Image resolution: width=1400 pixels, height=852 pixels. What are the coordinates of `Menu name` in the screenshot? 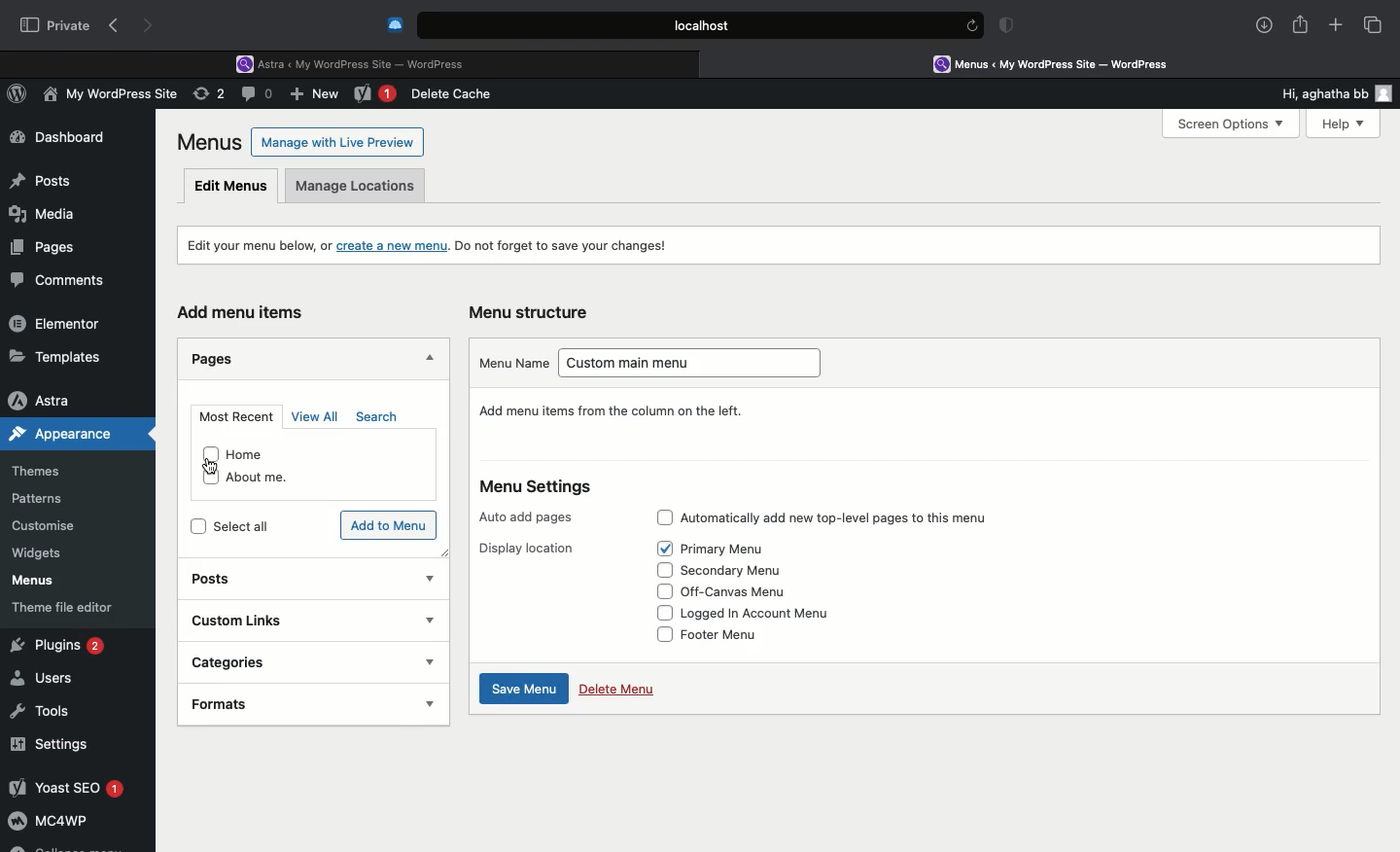 It's located at (512, 362).